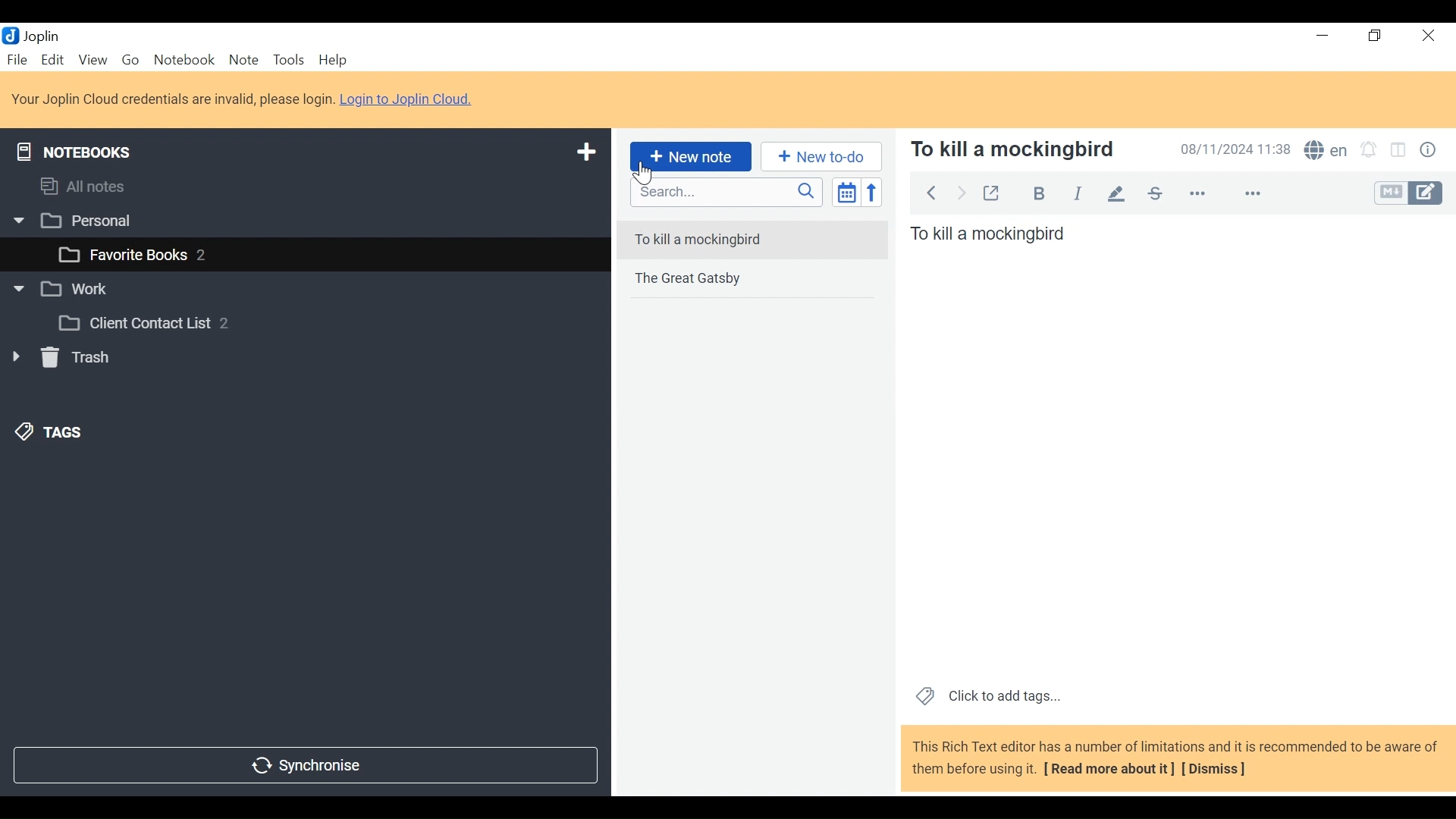 The image size is (1456, 819). I want to click on Your Joplin Cloud credentials are invalid, please login. Login to Joplin Cloud., so click(246, 99).